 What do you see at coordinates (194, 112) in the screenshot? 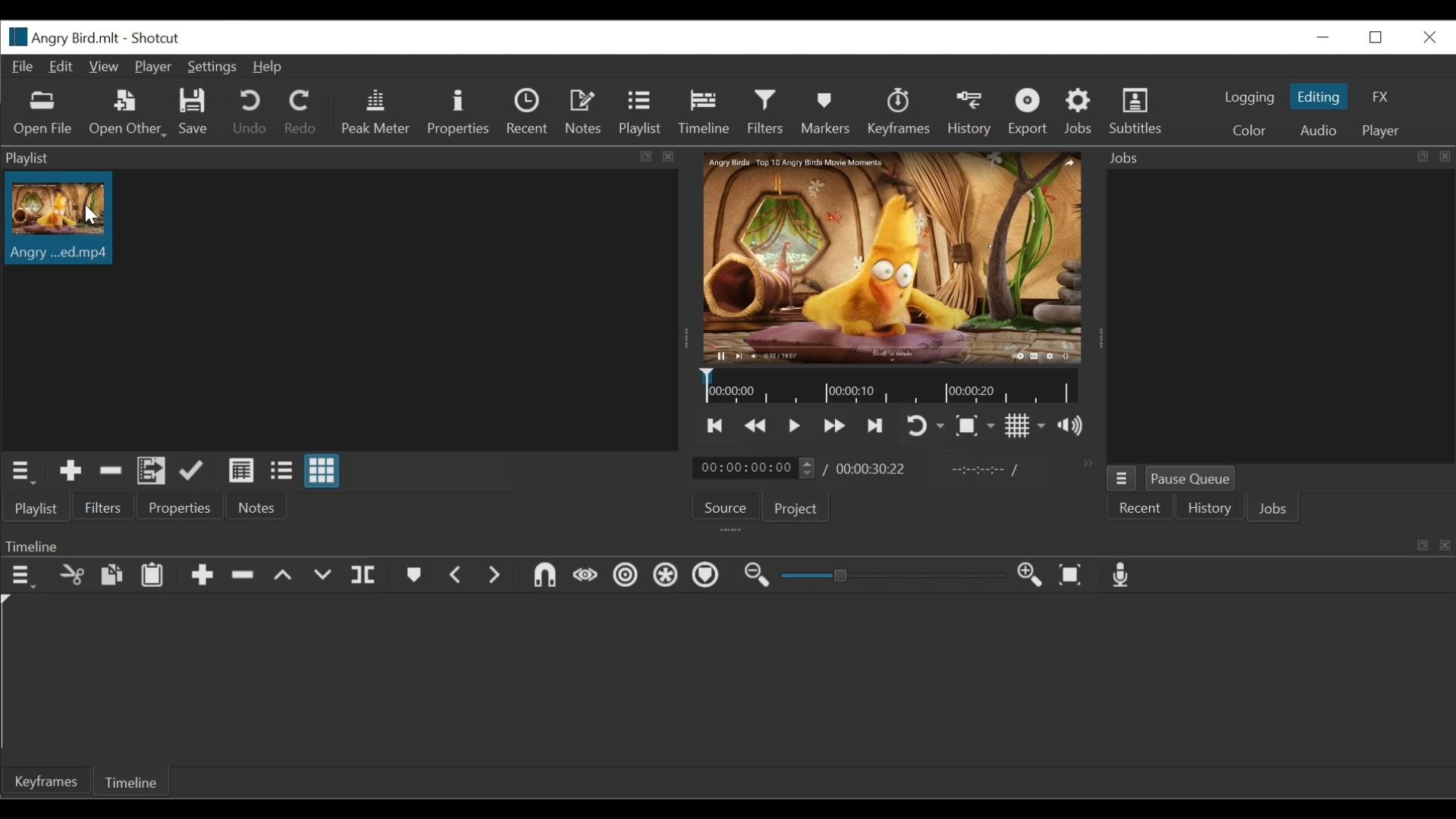
I see `Save` at bounding box center [194, 112].